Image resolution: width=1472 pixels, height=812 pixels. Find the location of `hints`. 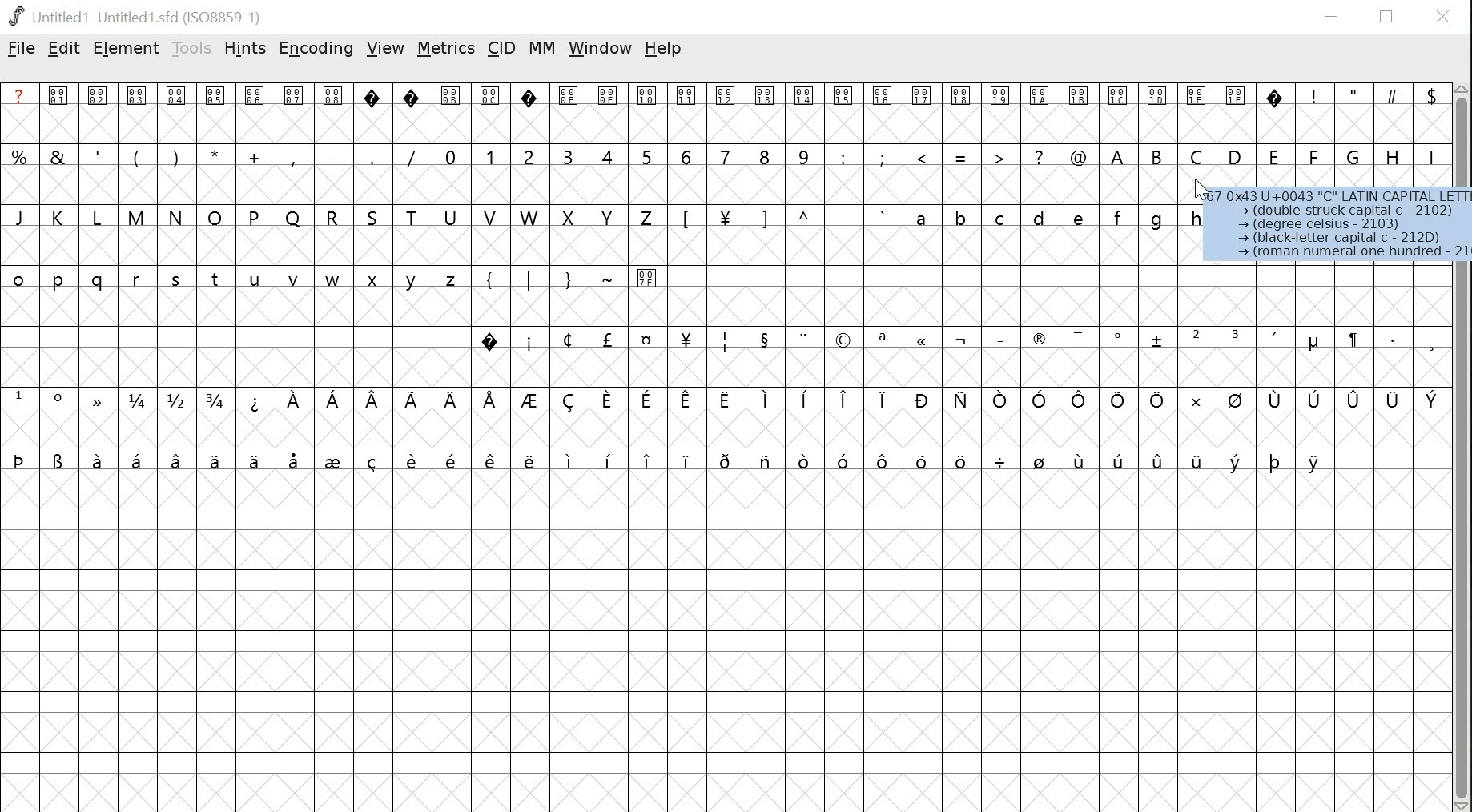

hints is located at coordinates (245, 48).